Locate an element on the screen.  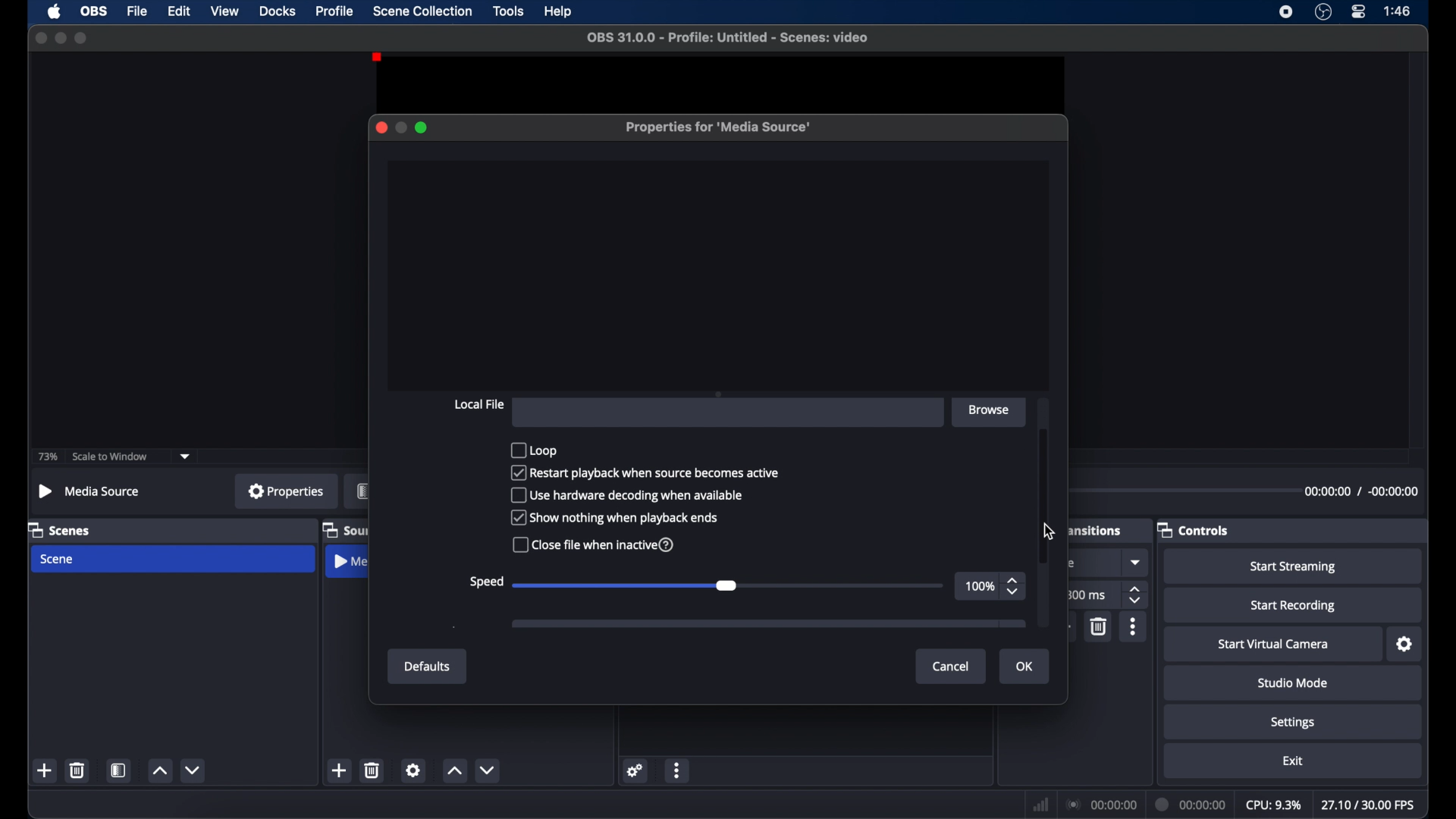
show nothing when playback ends is located at coordinates (614, 518).